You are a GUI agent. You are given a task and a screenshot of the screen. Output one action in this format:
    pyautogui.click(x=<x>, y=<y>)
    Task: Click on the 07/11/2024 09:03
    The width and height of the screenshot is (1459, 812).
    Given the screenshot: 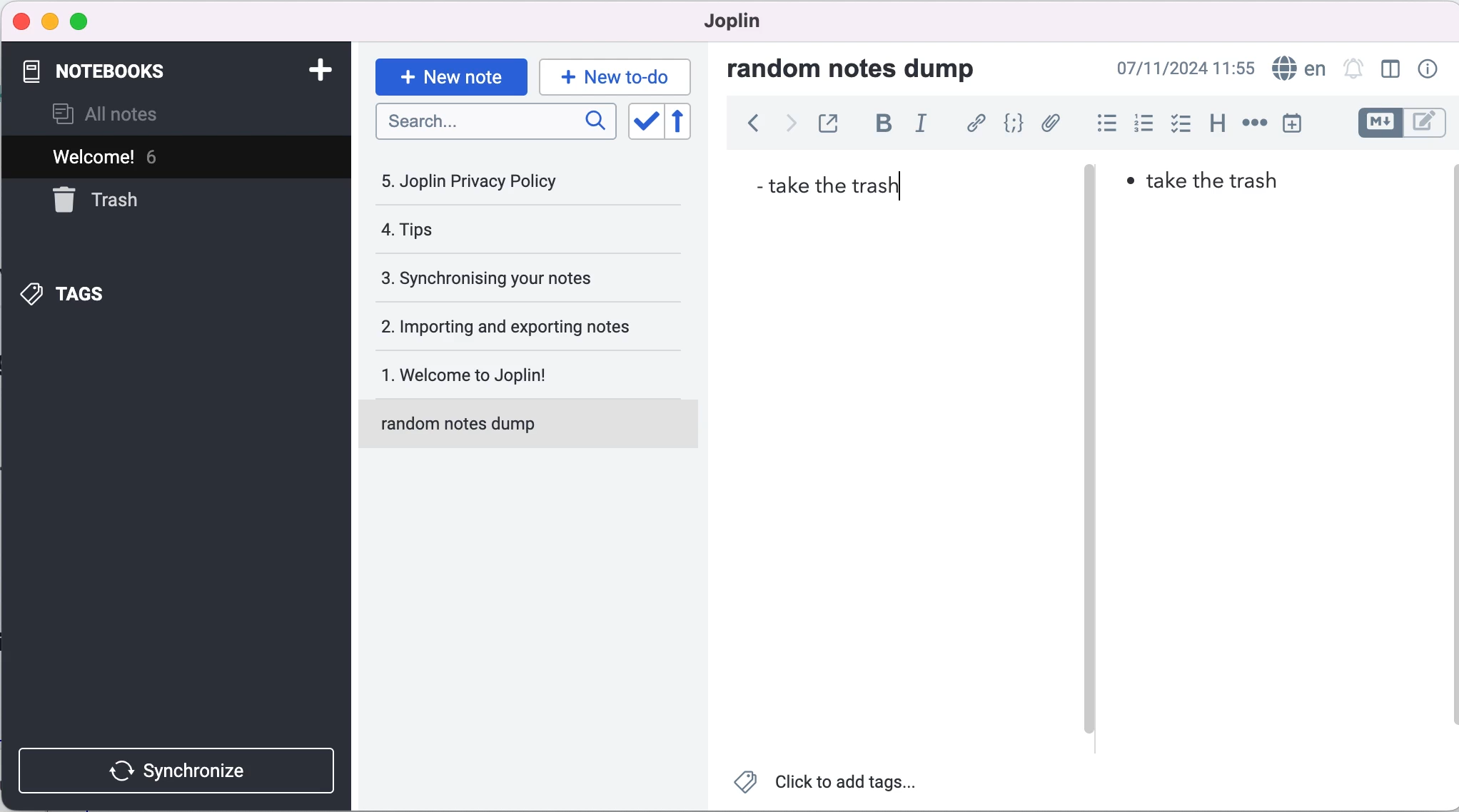 What is the action you would take?
    pyautogui.click(x=1186, y=68)
    